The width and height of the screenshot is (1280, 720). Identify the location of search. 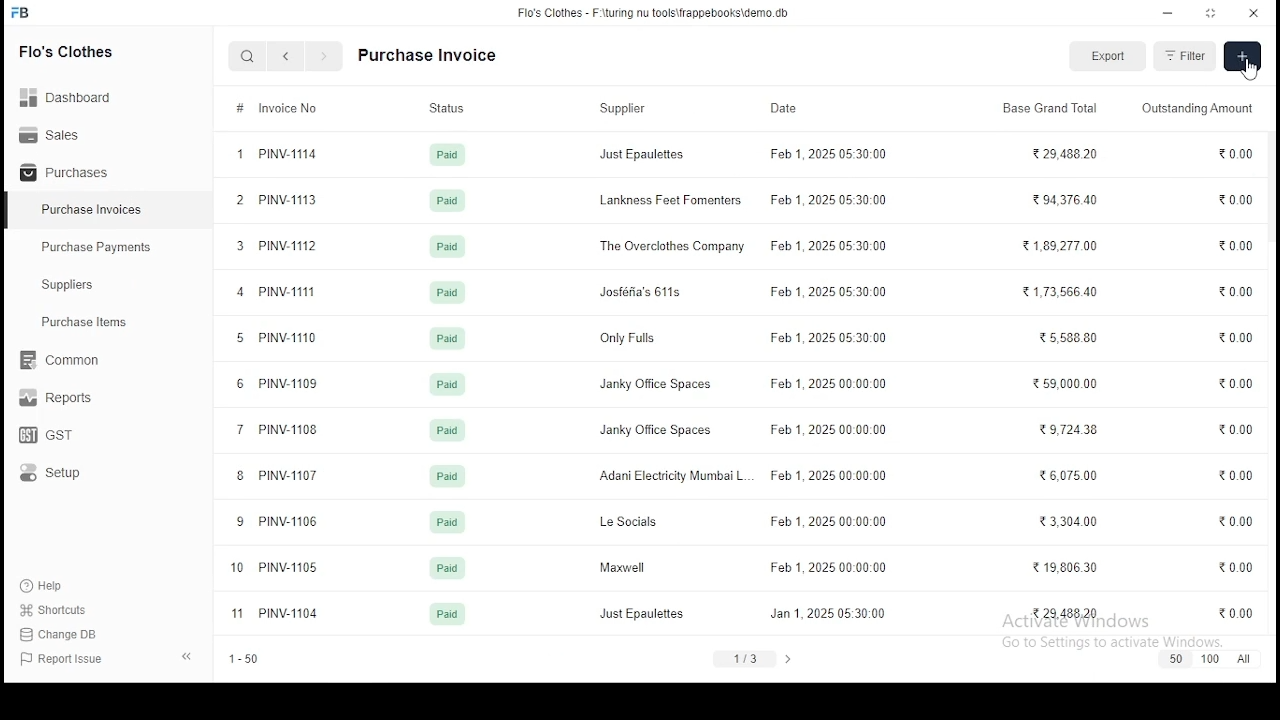
(250, 58).